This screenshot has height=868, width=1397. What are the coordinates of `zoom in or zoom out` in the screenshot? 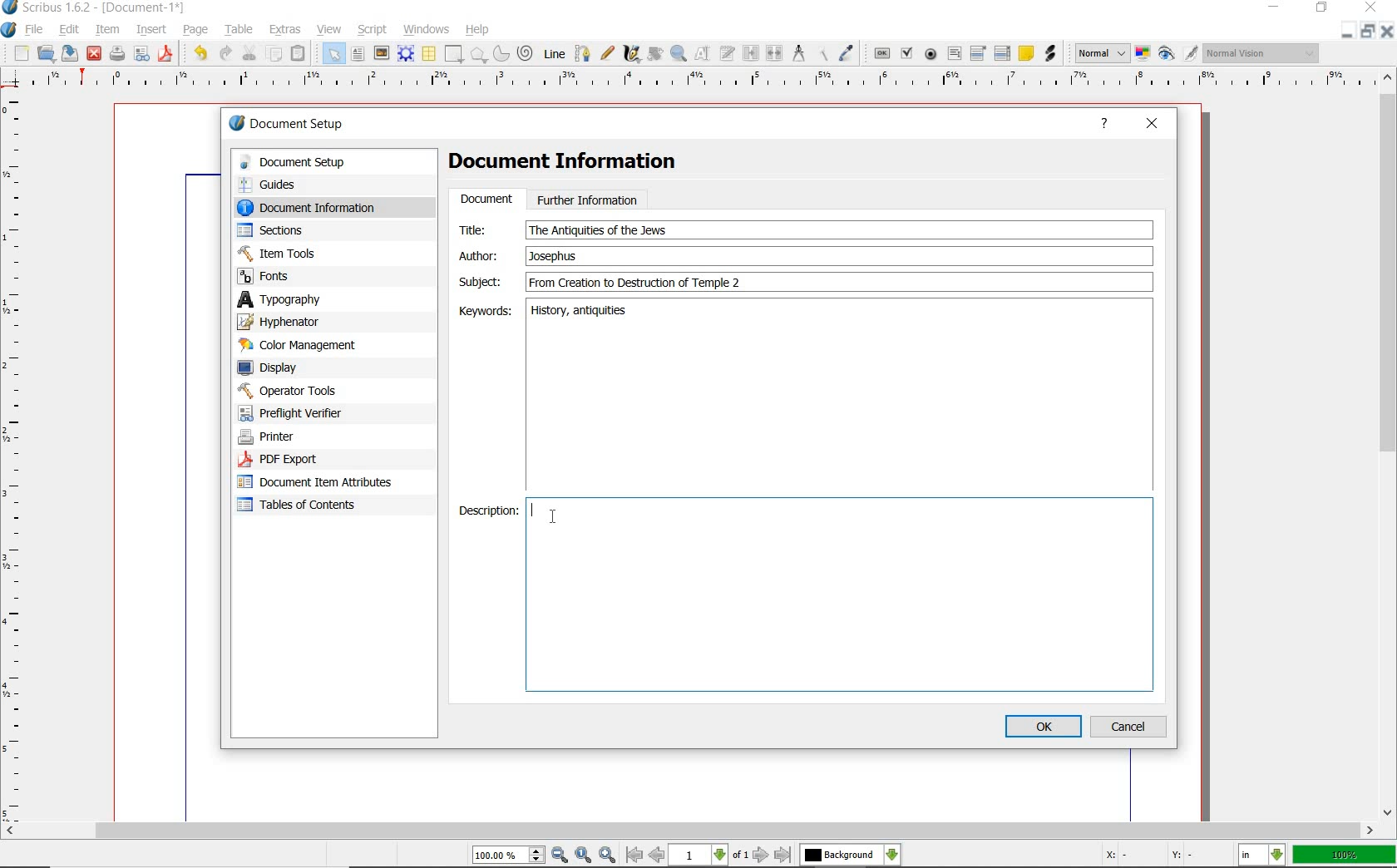 It's located at (679, 55).